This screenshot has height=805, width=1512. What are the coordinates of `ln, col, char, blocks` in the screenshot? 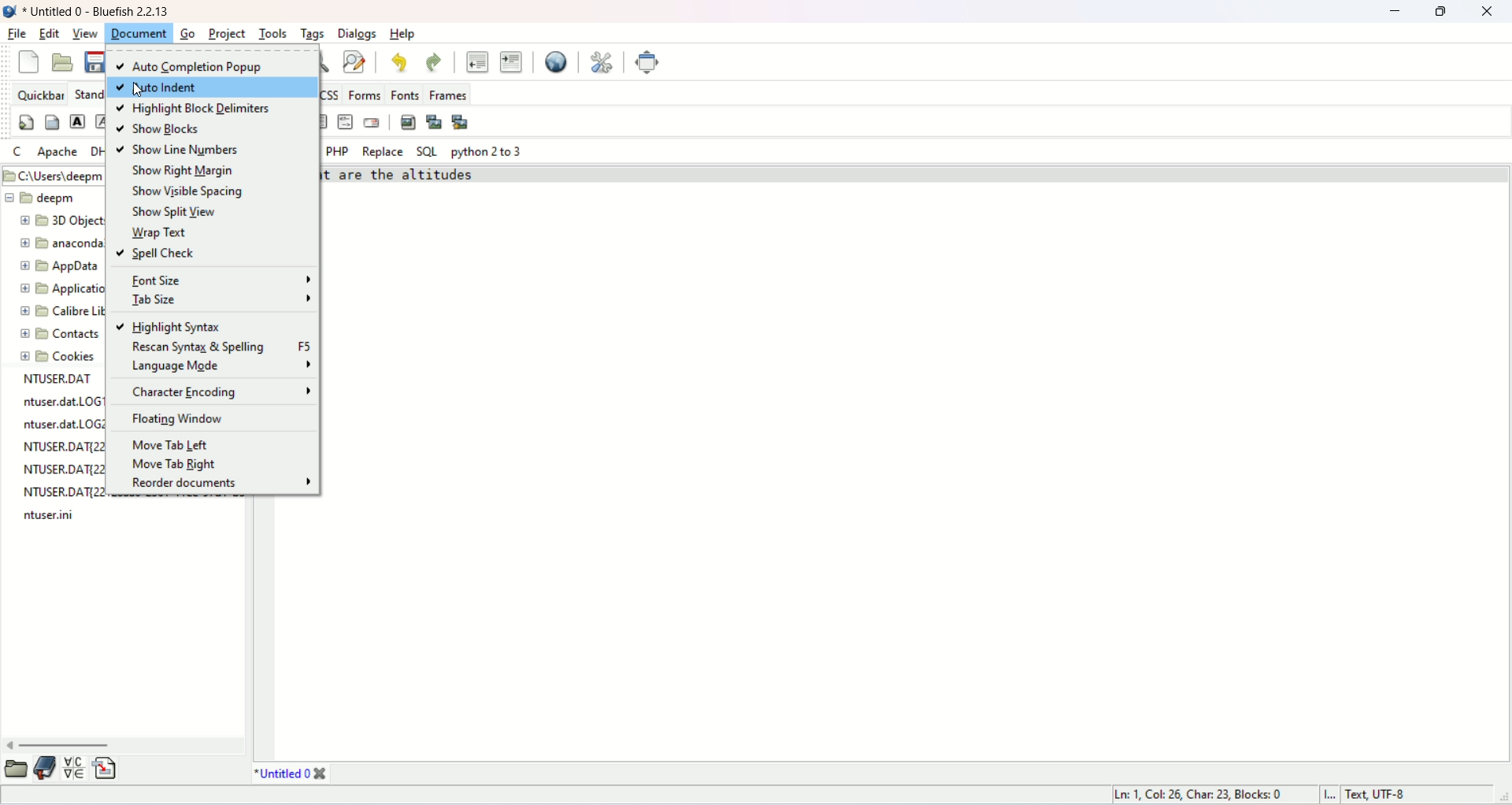 It's located at (1199, 794).